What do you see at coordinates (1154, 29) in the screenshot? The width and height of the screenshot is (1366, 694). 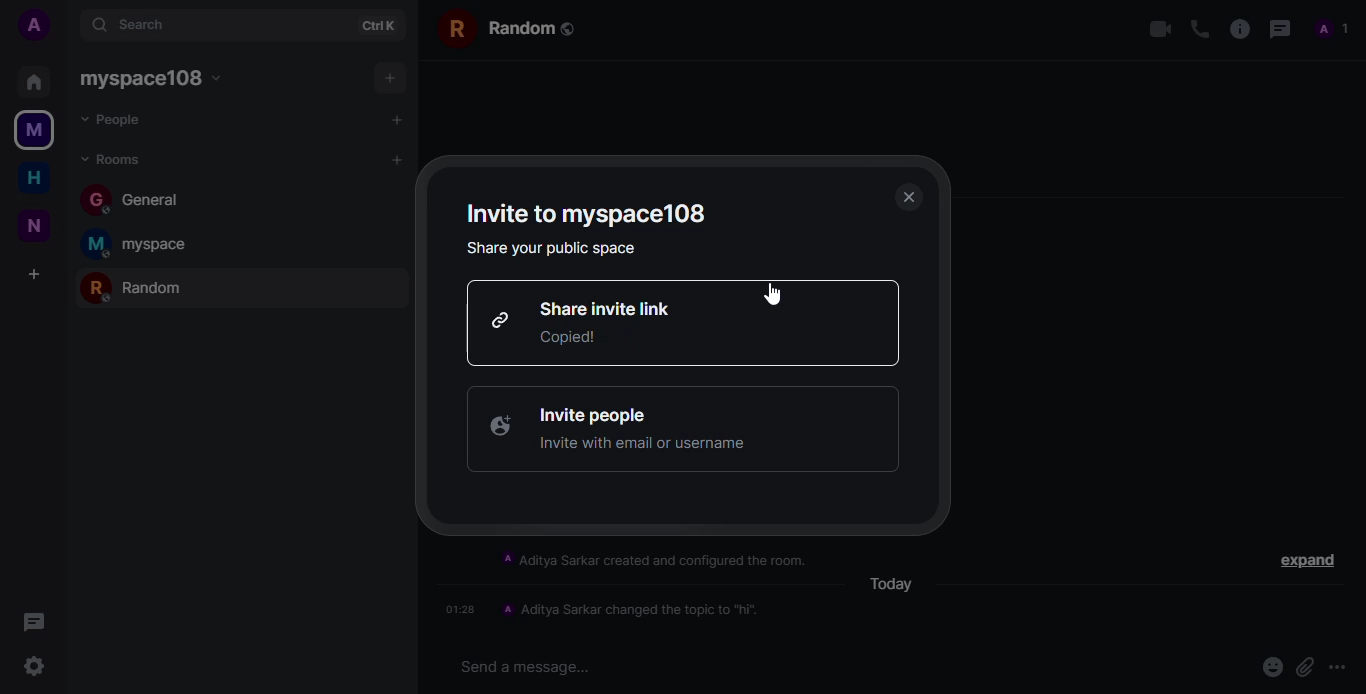 I see `video call` at bounding box center [1154, 29].